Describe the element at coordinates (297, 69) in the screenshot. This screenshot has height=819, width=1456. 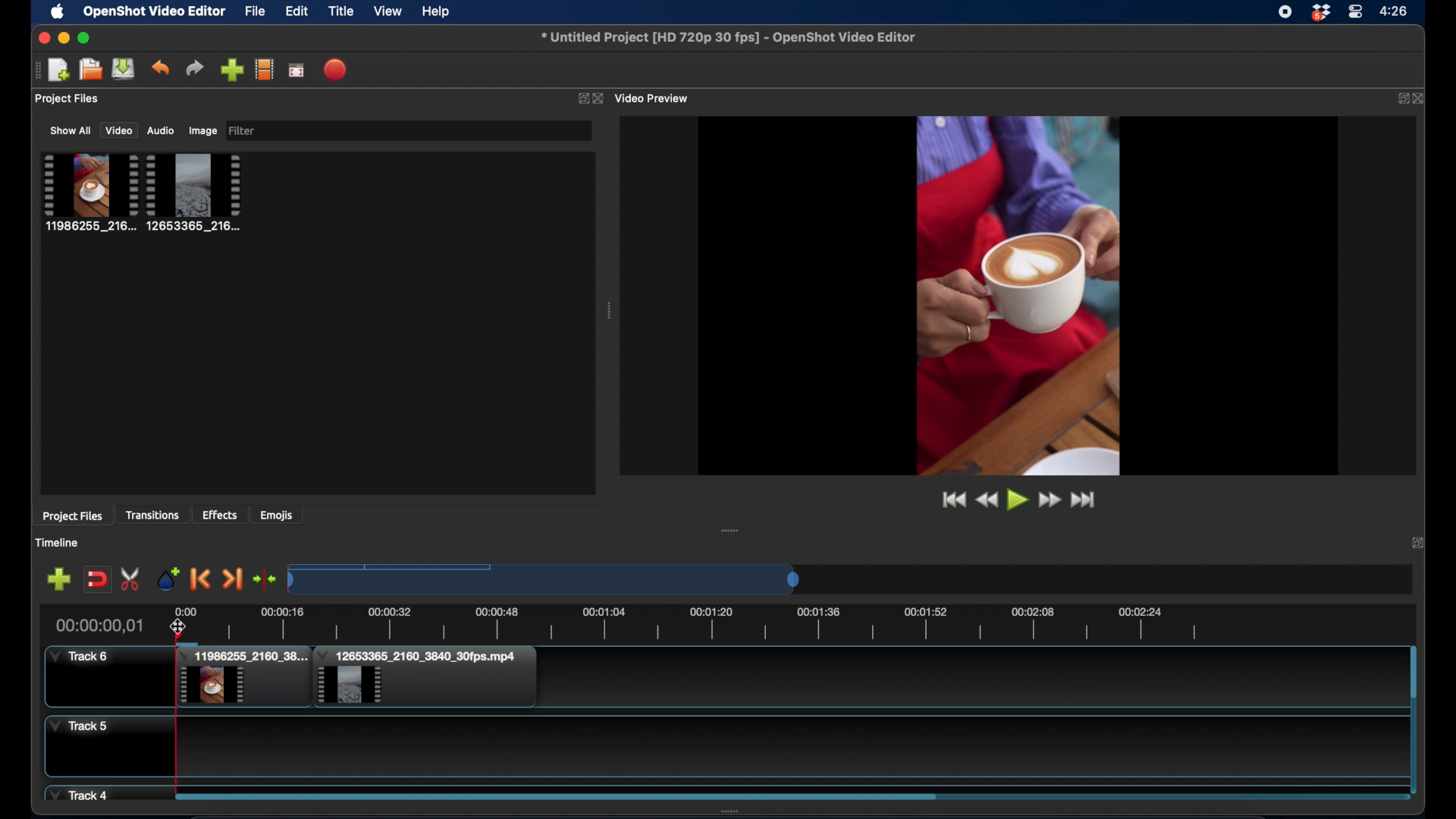
I see `full screen` at that location.